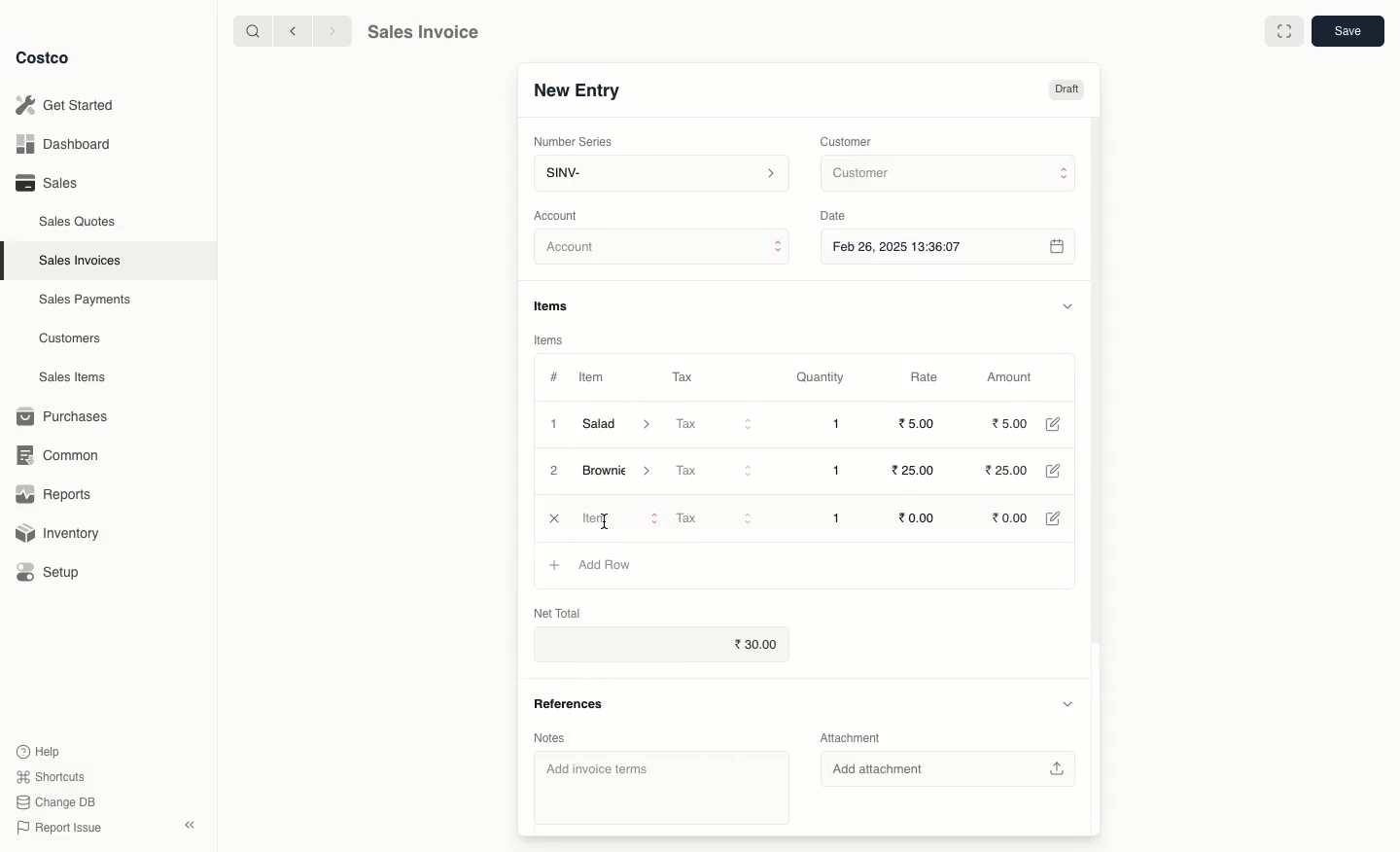  I want to click on Sales Items, so click(77, 377).